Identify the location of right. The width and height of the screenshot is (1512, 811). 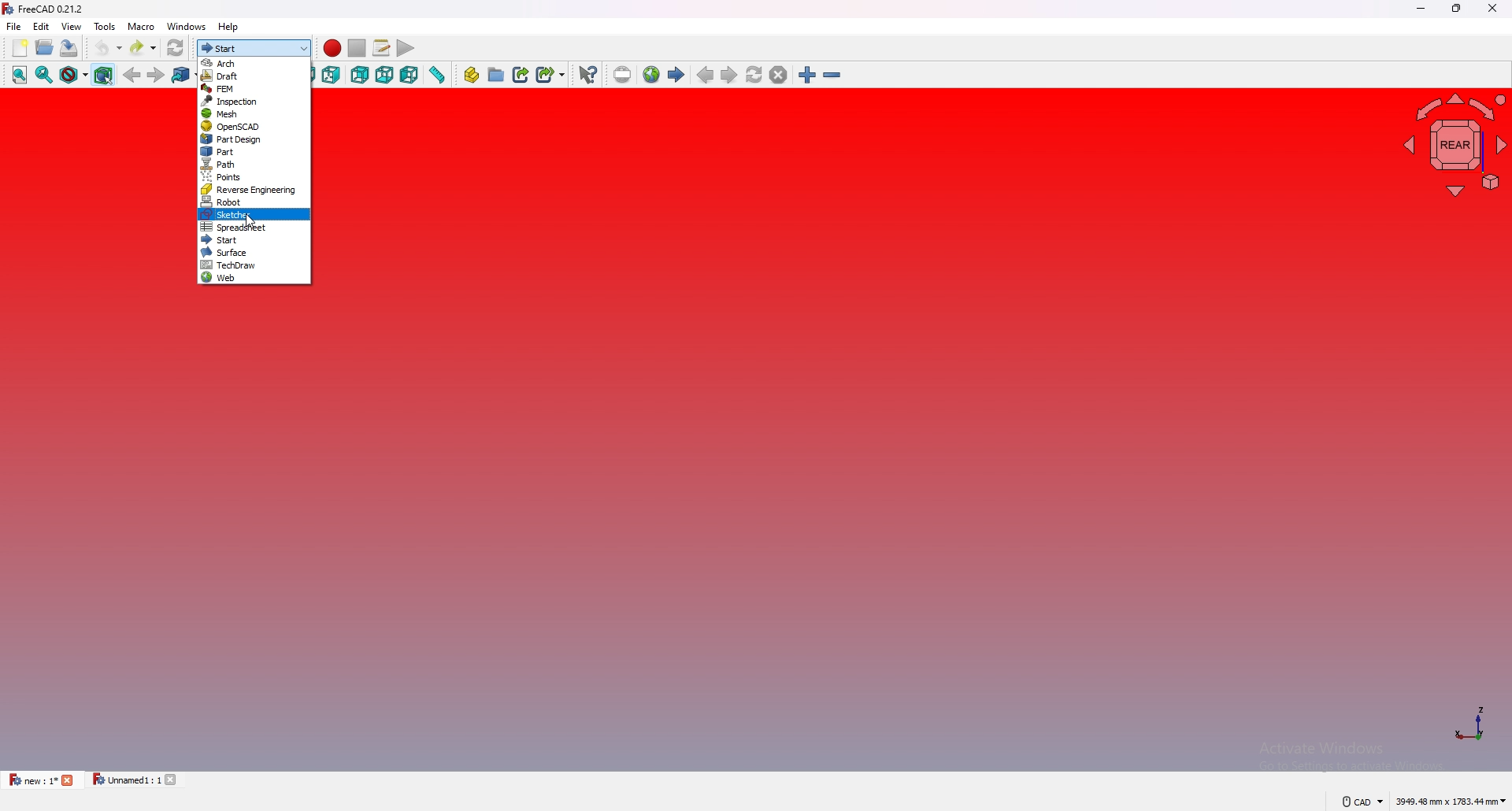
(332, 75).